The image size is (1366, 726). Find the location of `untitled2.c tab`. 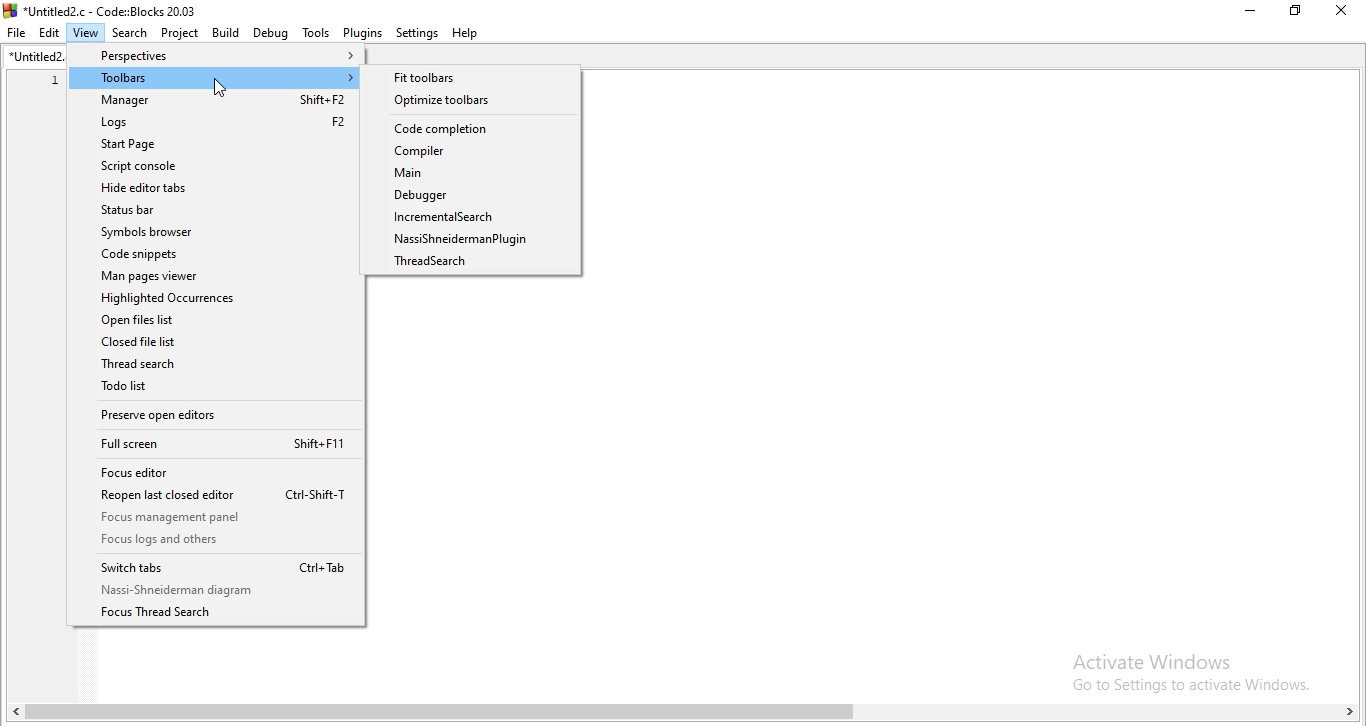

untitled2.c tab is located at coordinates (30, 57).